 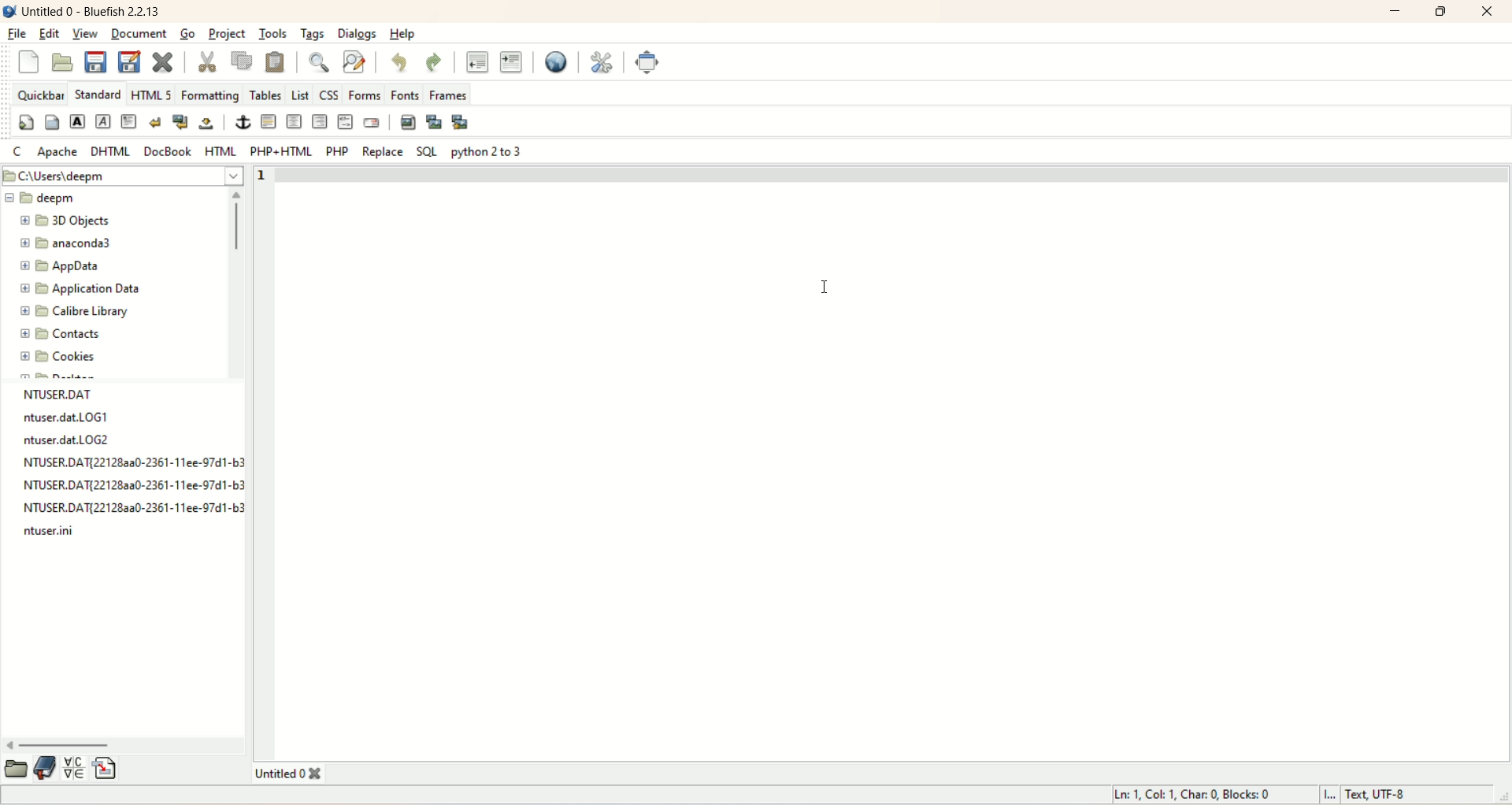 What do you see at coordinates (318, 121) in the screenshot?
I see `right justify` at bounding box center [318, 121].